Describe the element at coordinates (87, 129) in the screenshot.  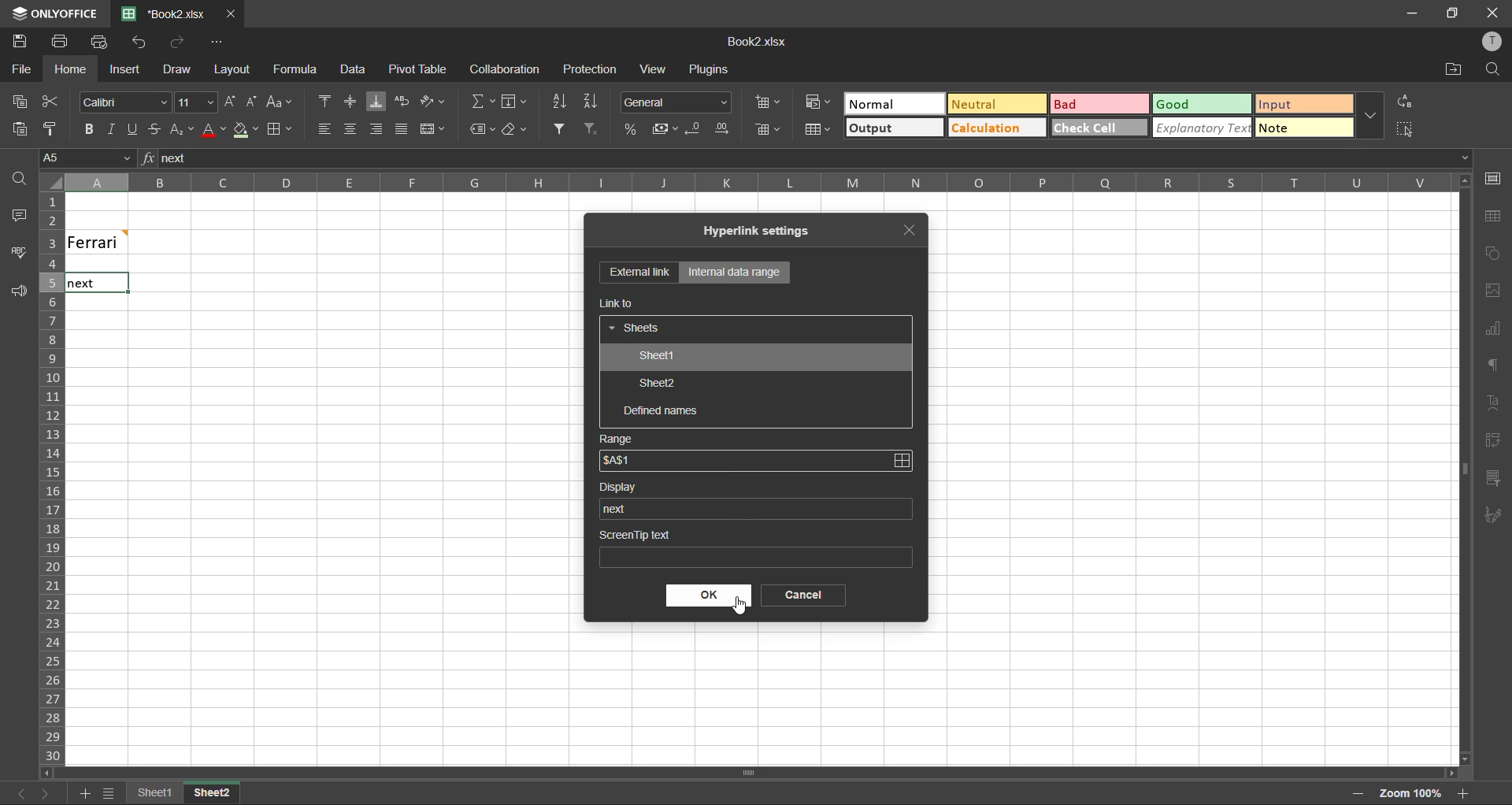
I see `bold` at that location.